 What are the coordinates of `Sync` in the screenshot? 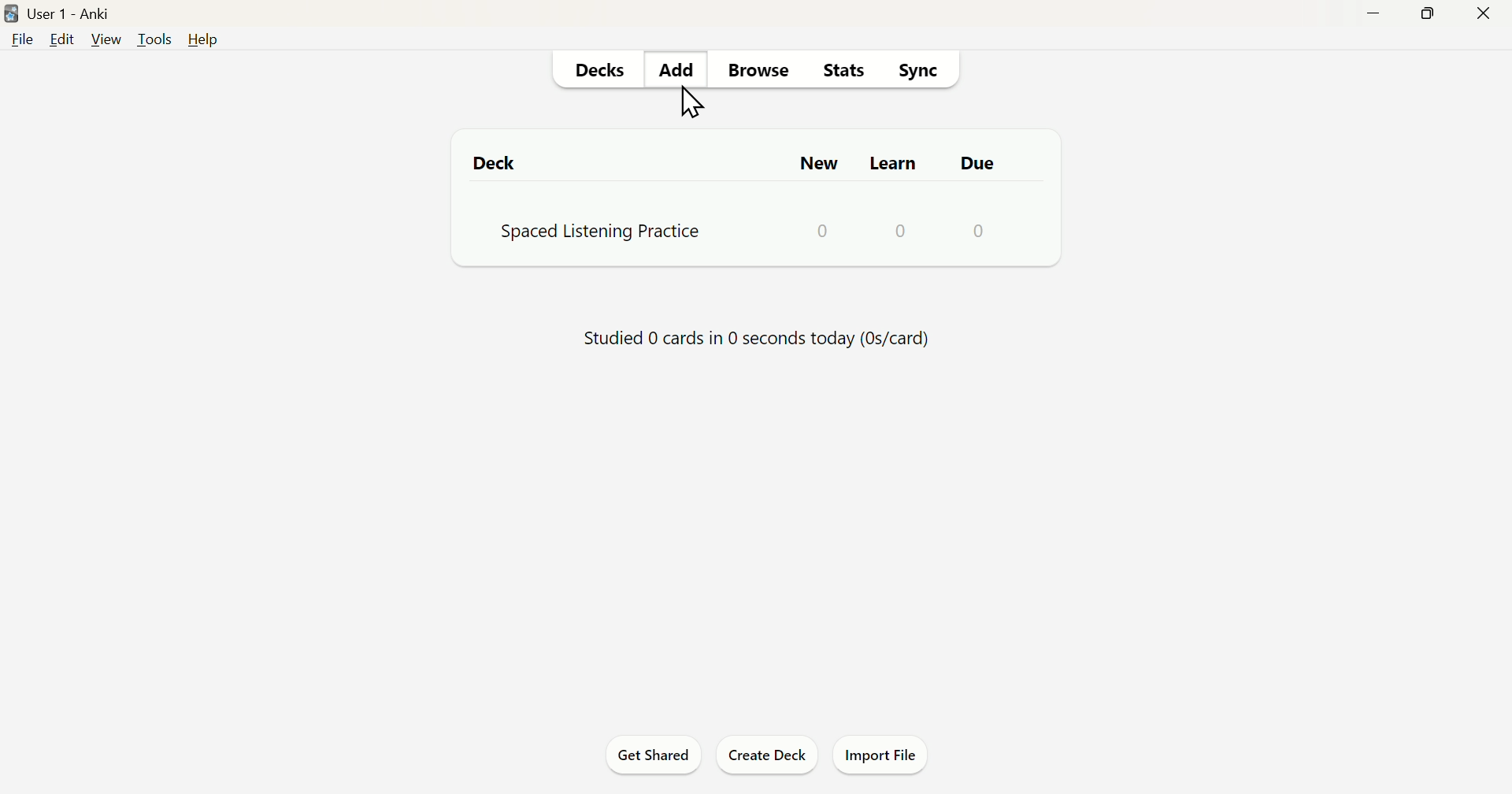 It's located at (922, 72).